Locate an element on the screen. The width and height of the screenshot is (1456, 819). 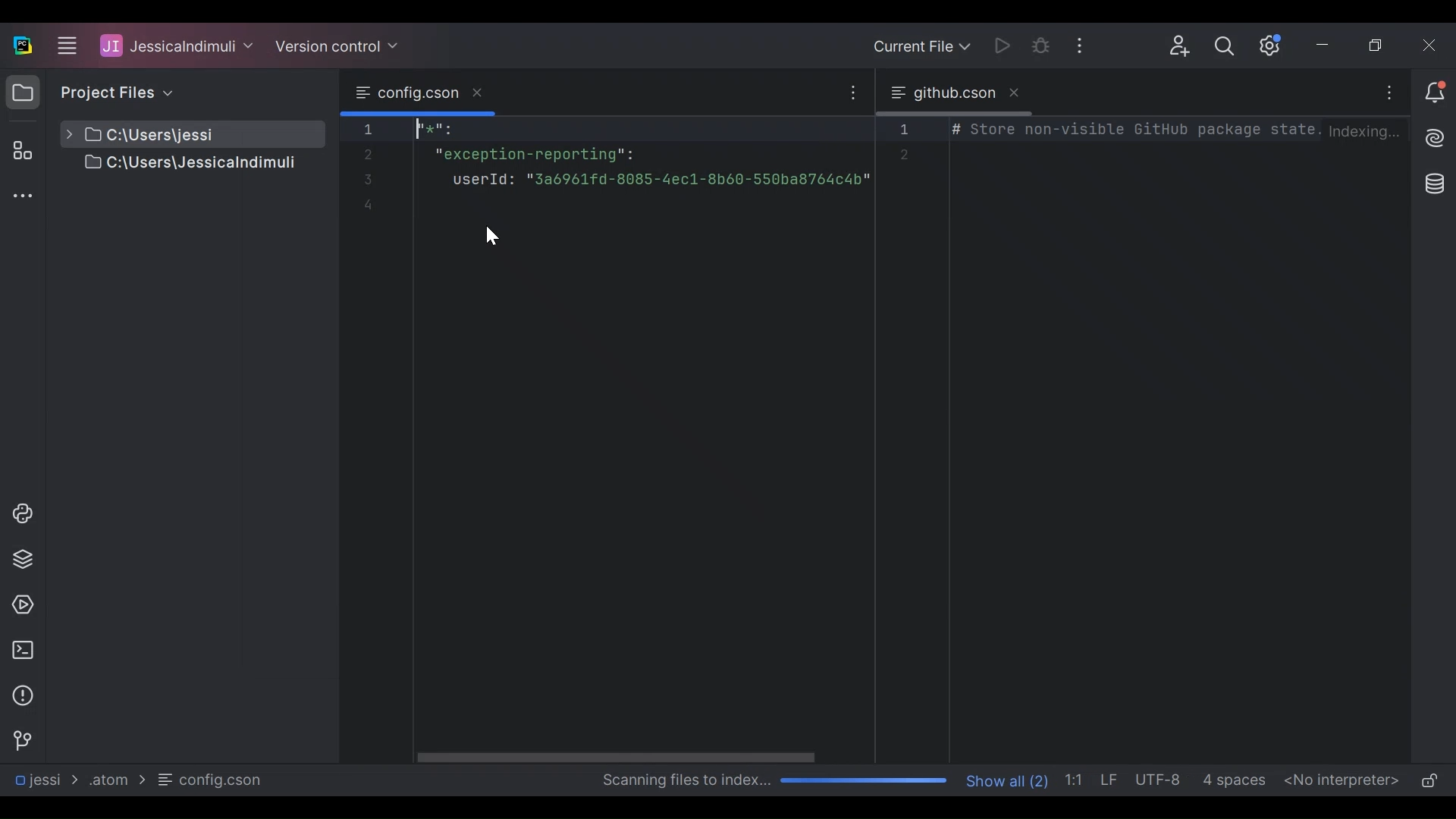
Folder is located at coordinates (115, 779).